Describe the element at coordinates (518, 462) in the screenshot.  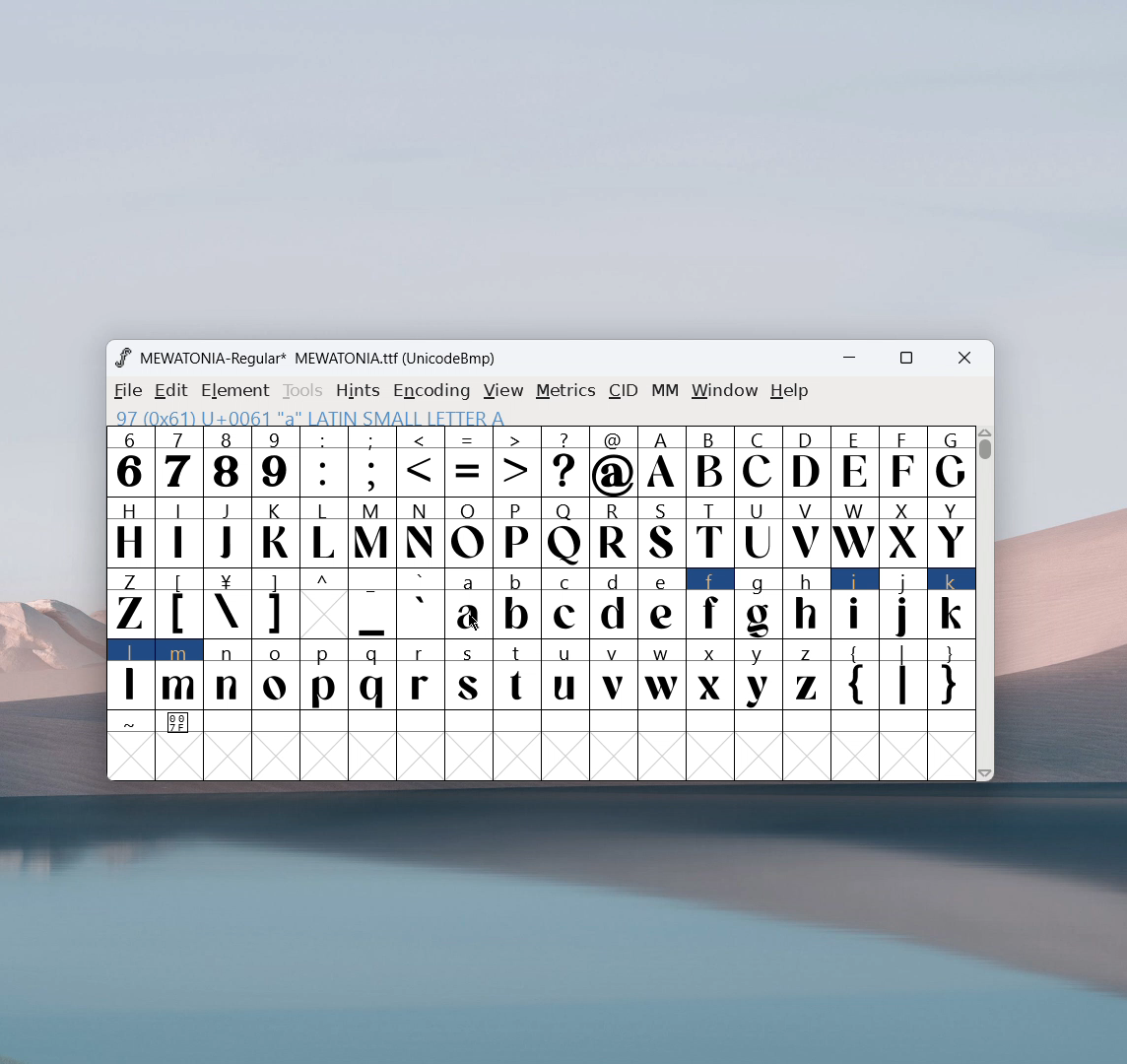
I see `>` at that location.